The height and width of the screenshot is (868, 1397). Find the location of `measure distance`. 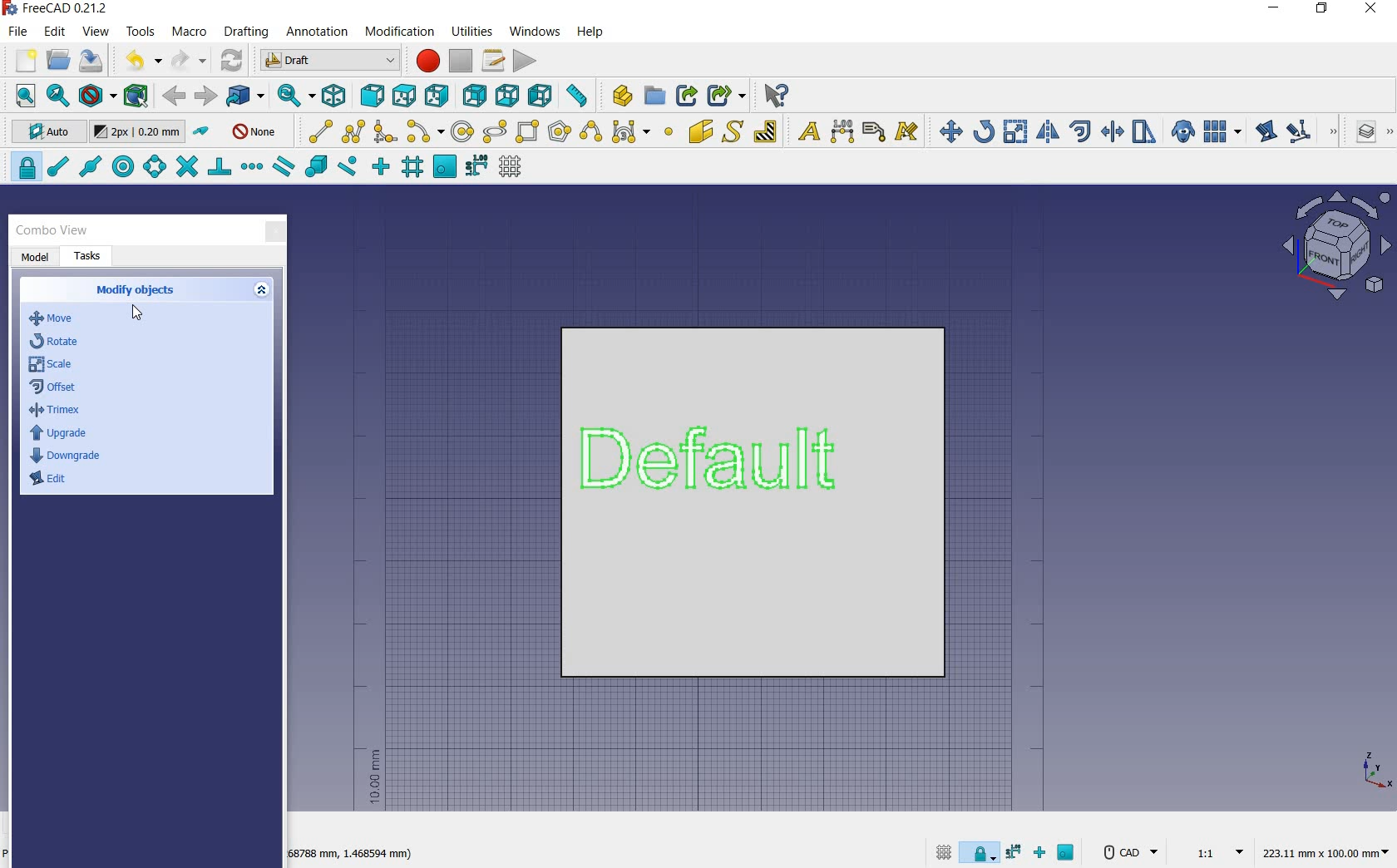

measure distance is located at coordinates (579, 96).